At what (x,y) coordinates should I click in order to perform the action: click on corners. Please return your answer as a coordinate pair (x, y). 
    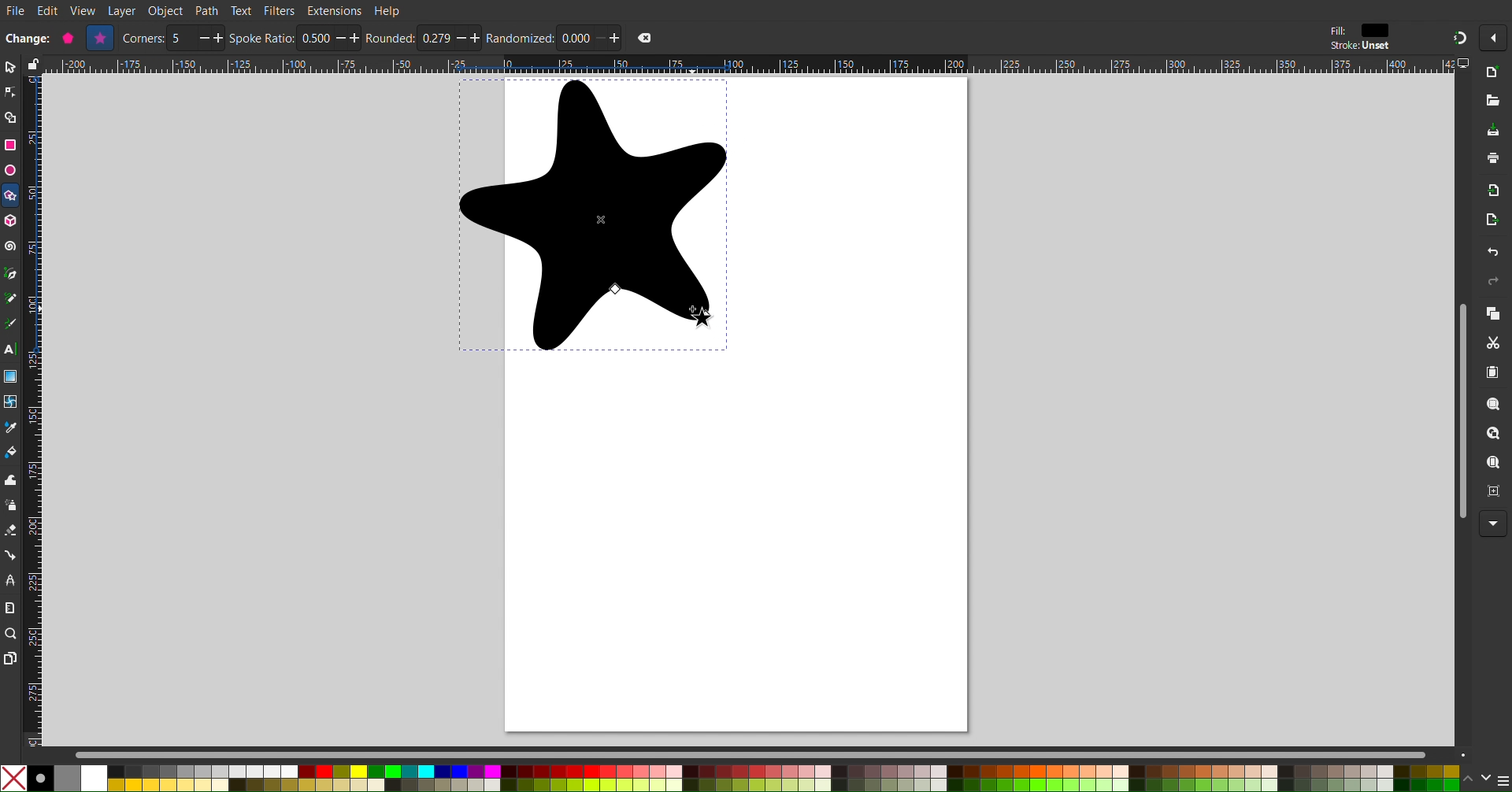
    Looking at the image, I should click on (143, 39).